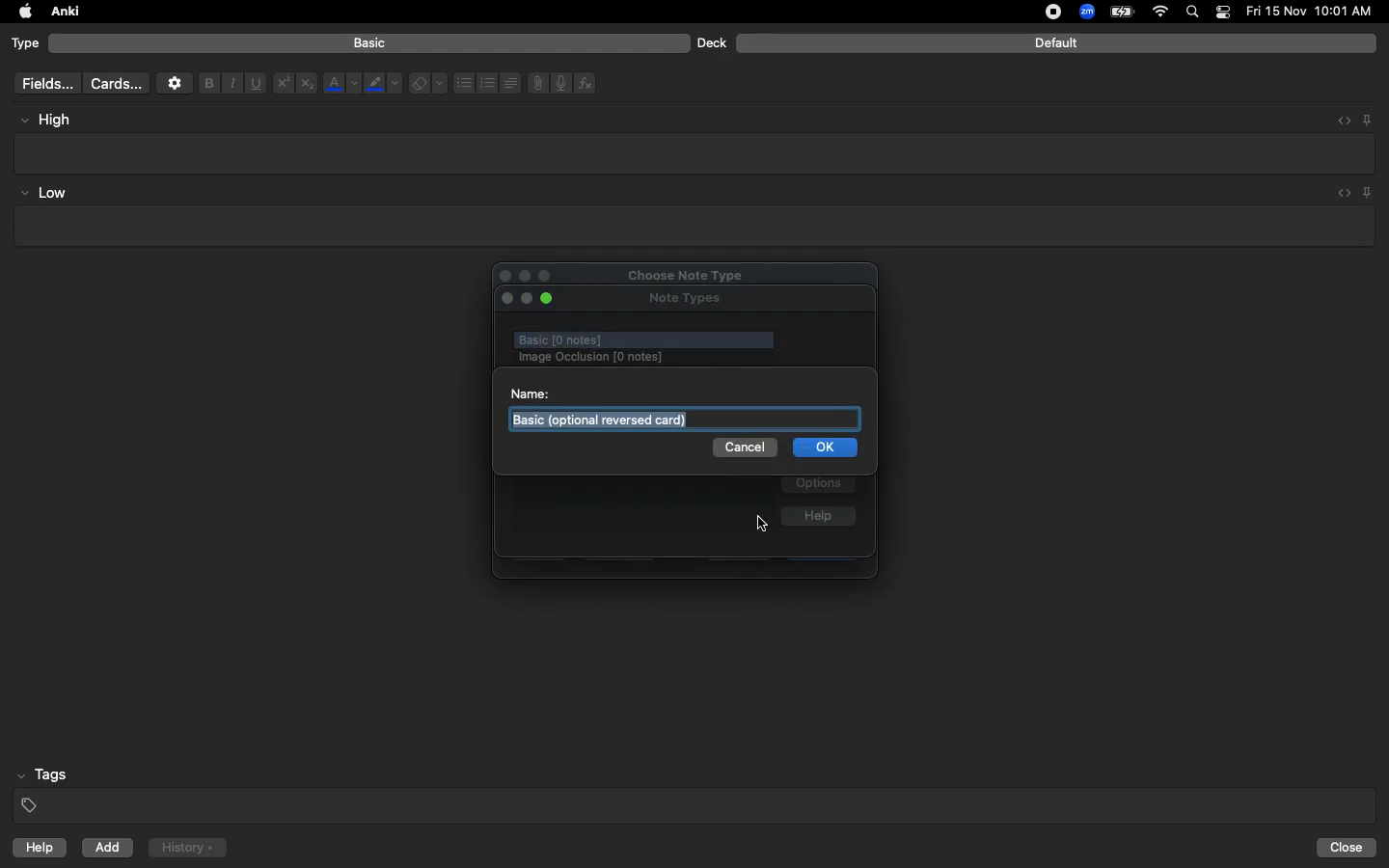 This screenshot has width=1389, height=868. What do you see at coordinates (26, 44) in the screenshot?
I see `Type` at bounding box center [26, 44].